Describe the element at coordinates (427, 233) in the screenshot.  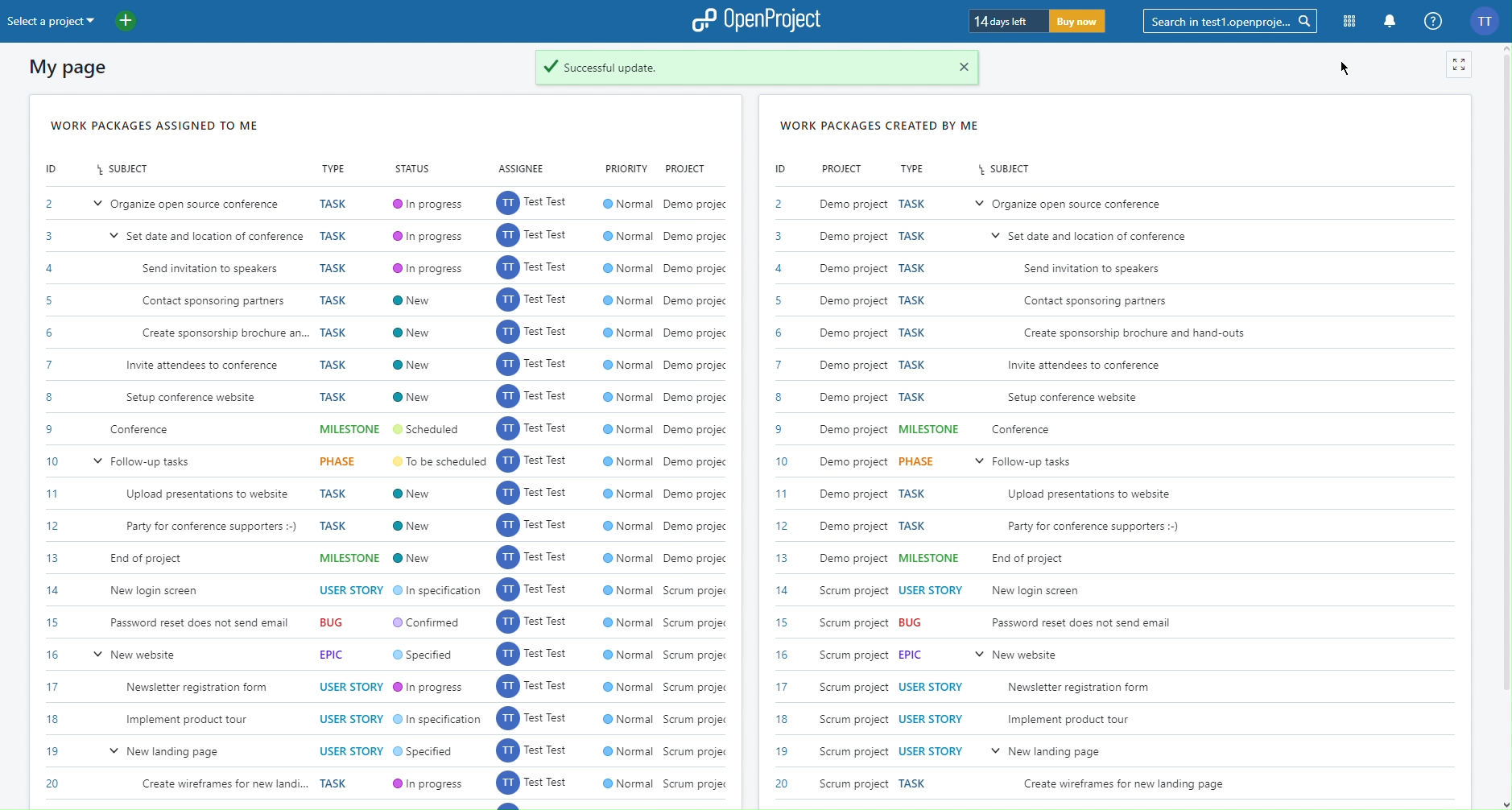
I see `In progress` at that location.